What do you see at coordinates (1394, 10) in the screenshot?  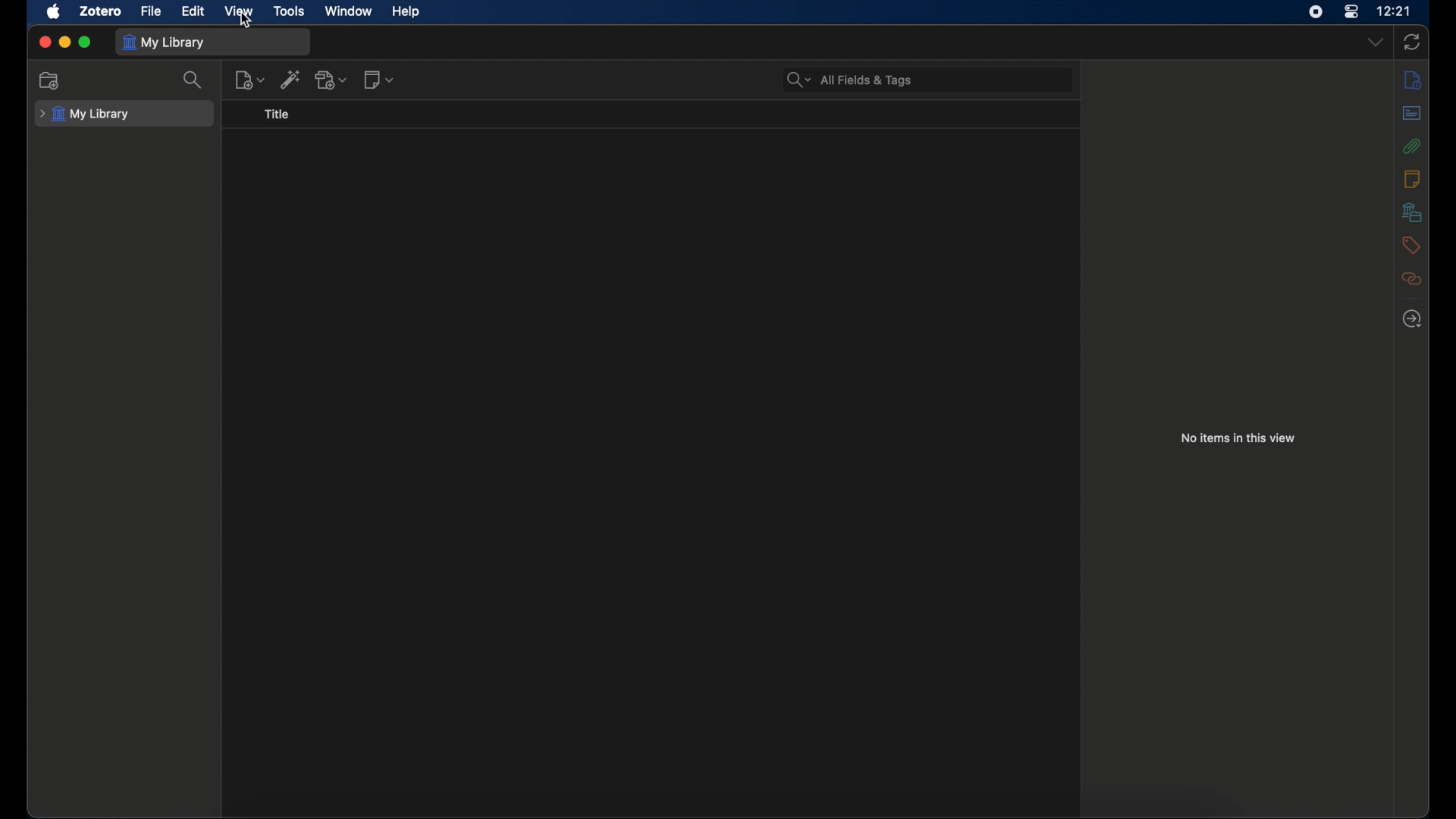 I see `time` at bounding box center [1394, 10].